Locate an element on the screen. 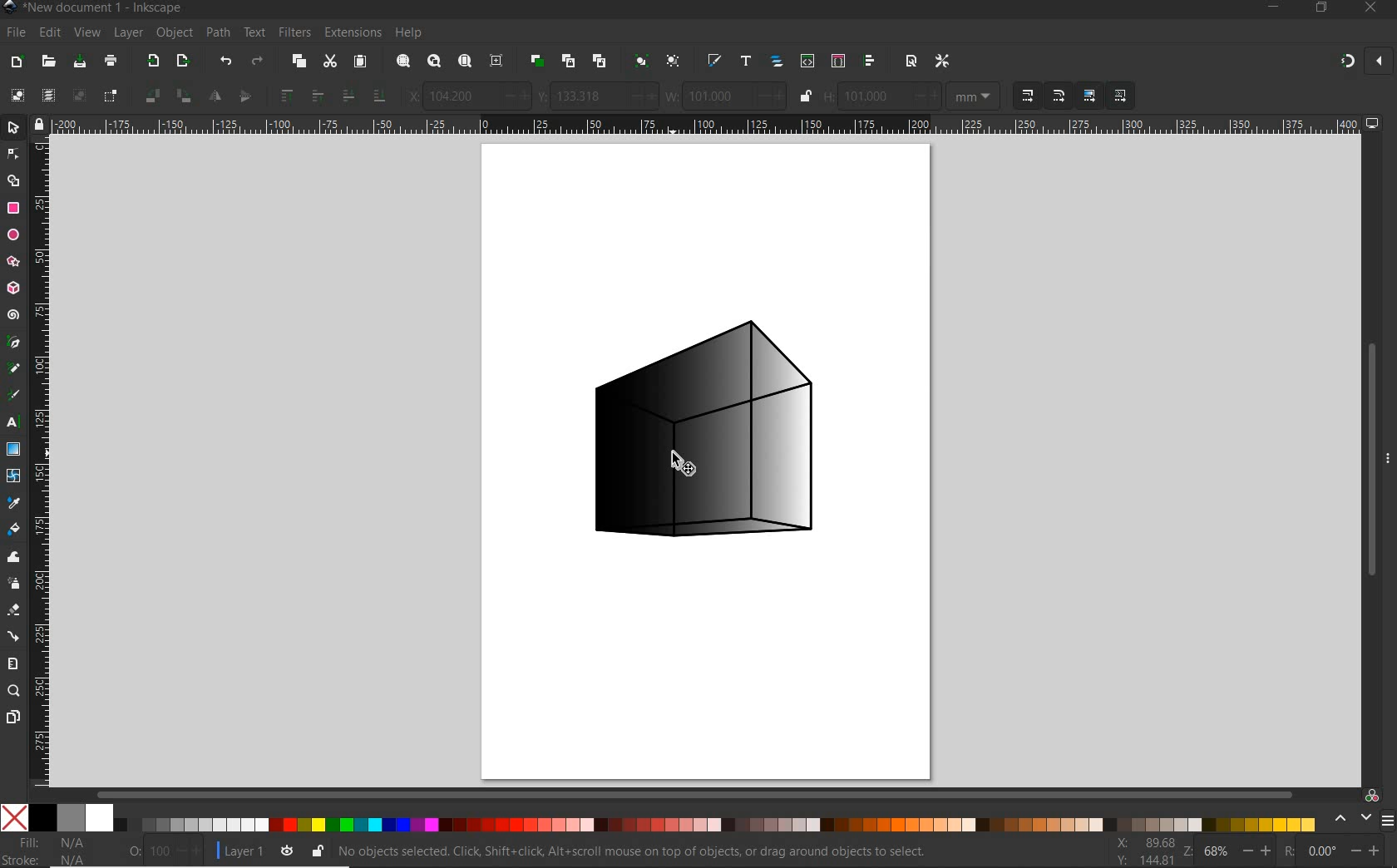  menu is located at coordinates (1388, 820).